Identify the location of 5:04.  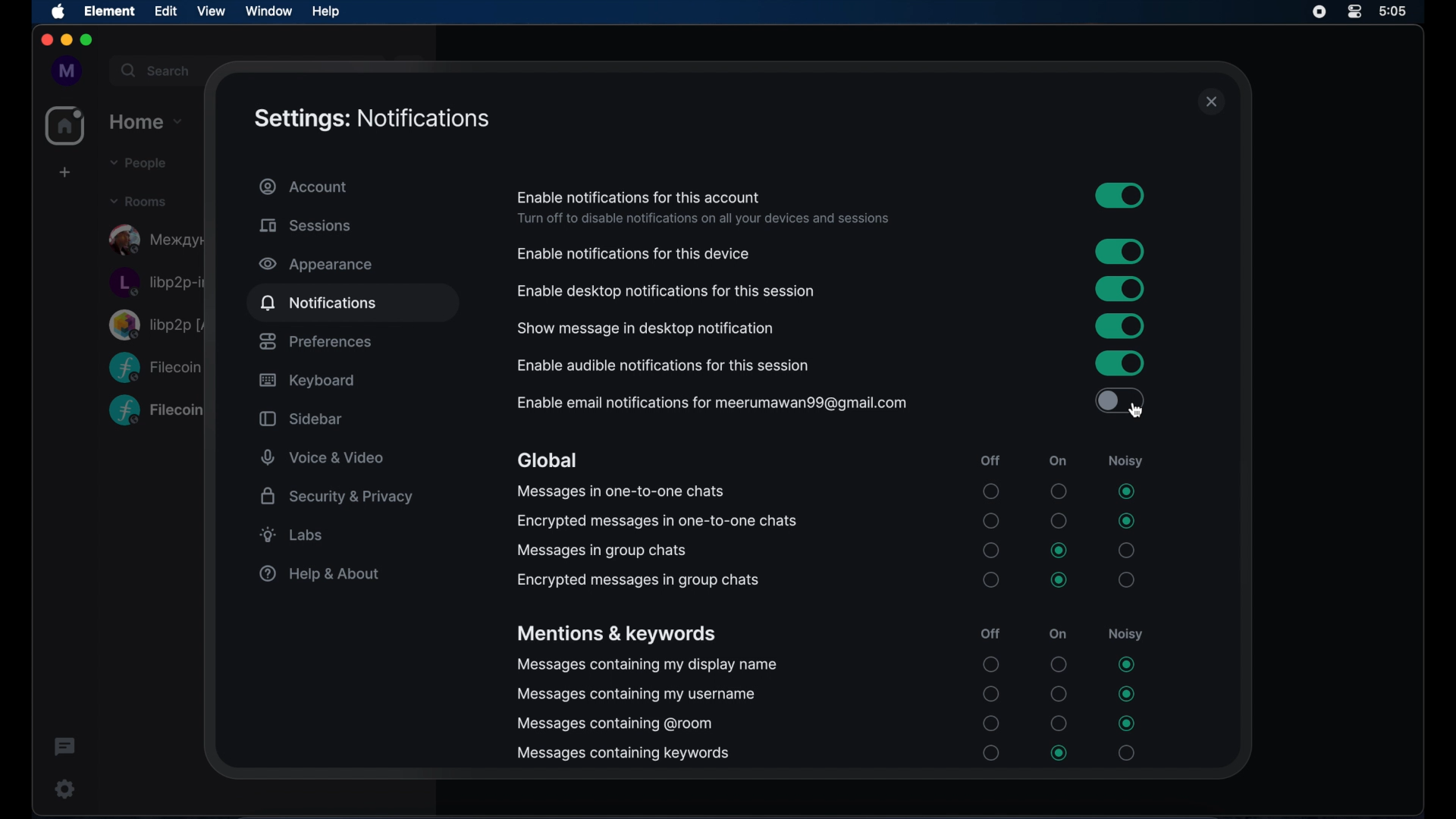
(1404, 11).